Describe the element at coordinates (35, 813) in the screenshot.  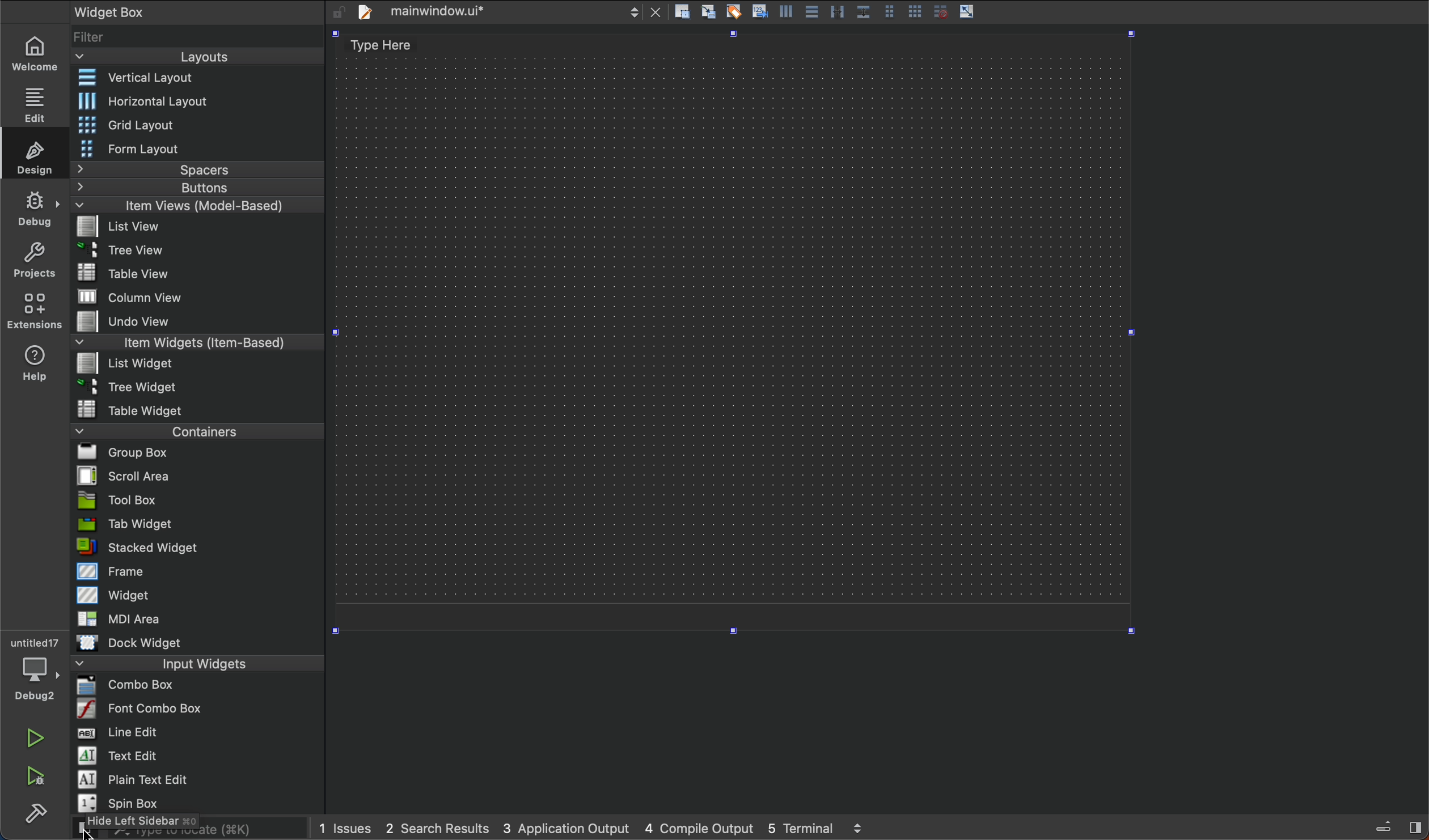
I see `build` at that location.